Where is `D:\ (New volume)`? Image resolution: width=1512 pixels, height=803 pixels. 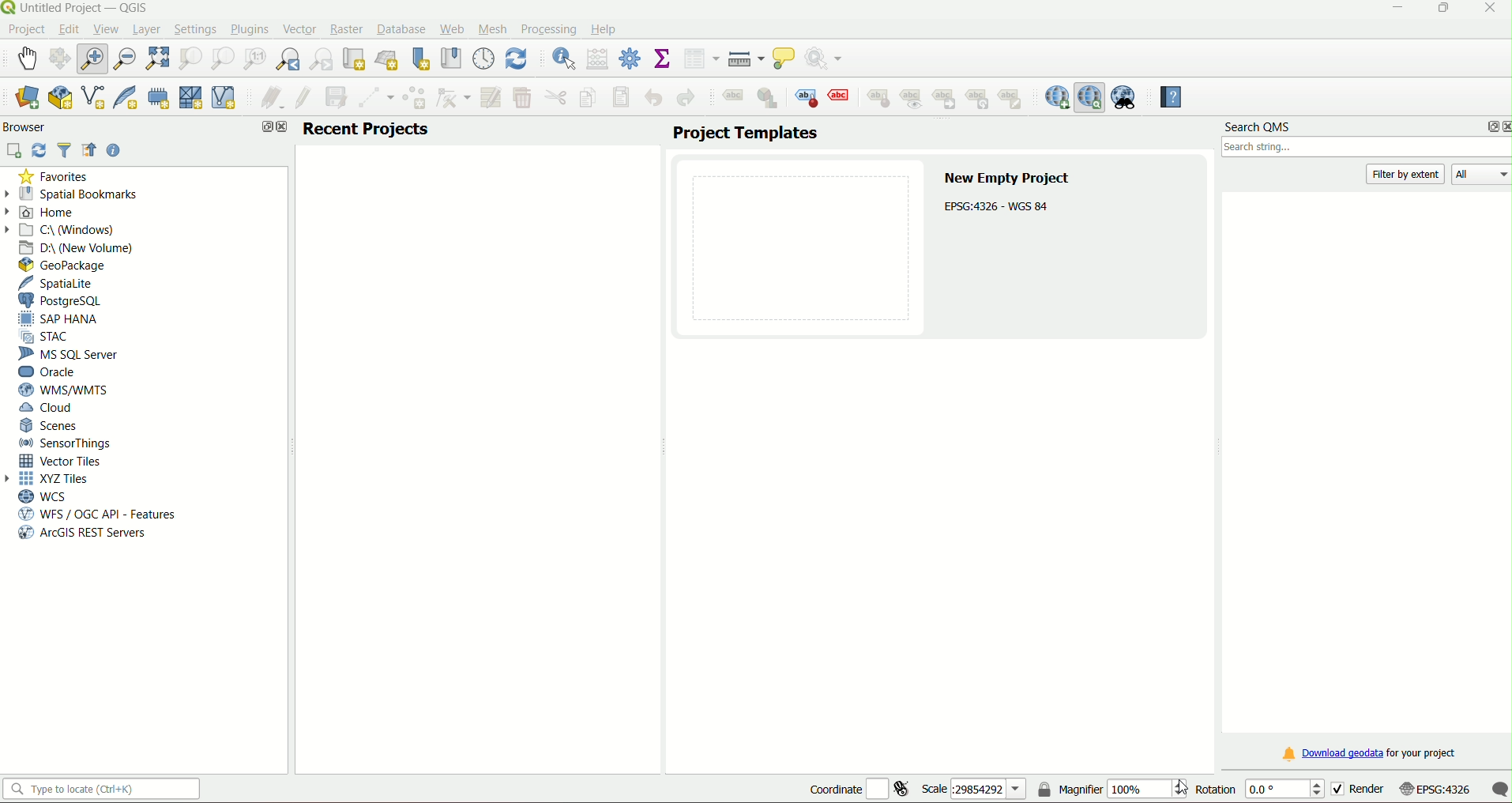
D:\ (New volume) is located at coordinates (79, 247).